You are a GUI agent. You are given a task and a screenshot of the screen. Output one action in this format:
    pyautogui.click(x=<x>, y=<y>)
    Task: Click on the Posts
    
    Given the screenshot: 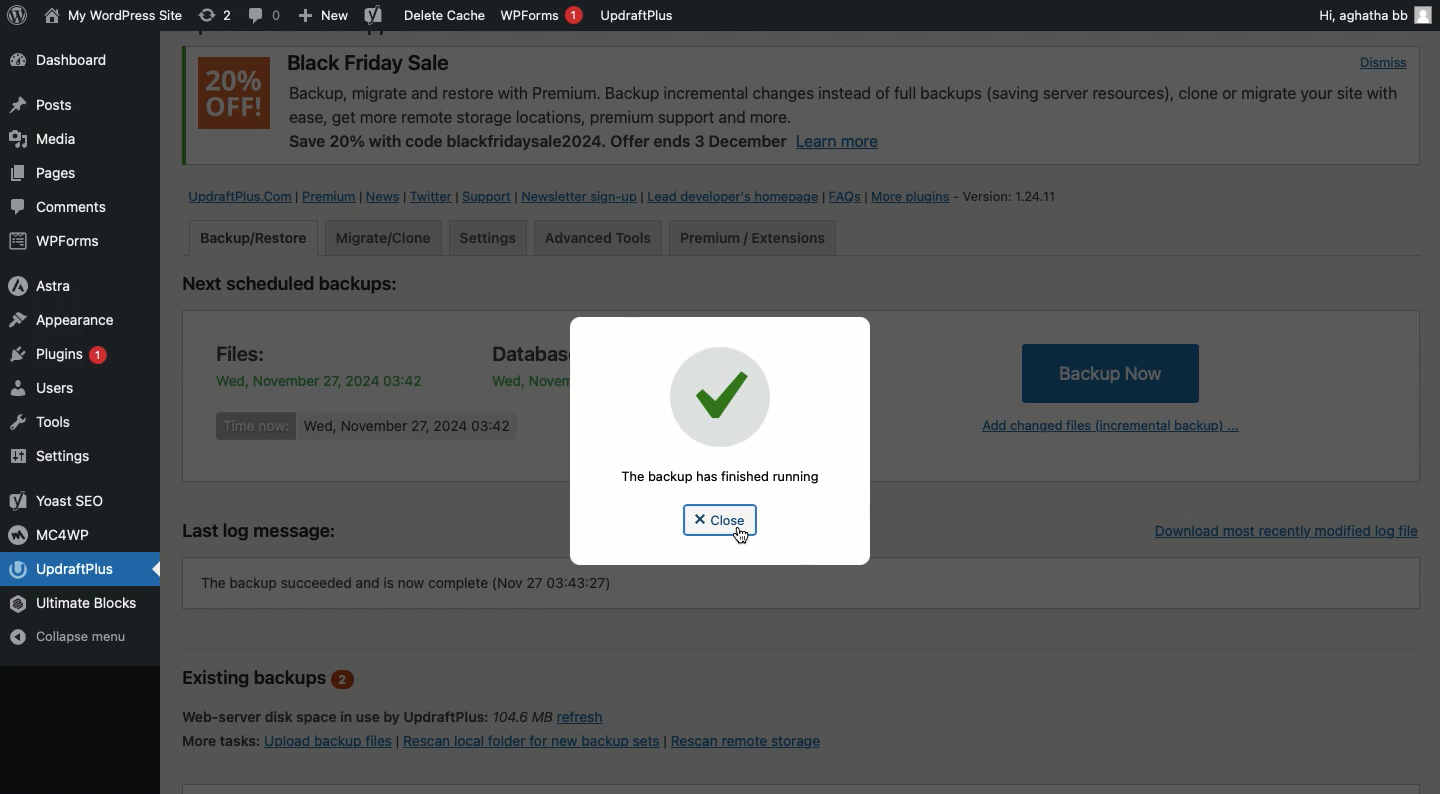 What is the action you would take?
    pyautogui.click(x=40, y=105)
    